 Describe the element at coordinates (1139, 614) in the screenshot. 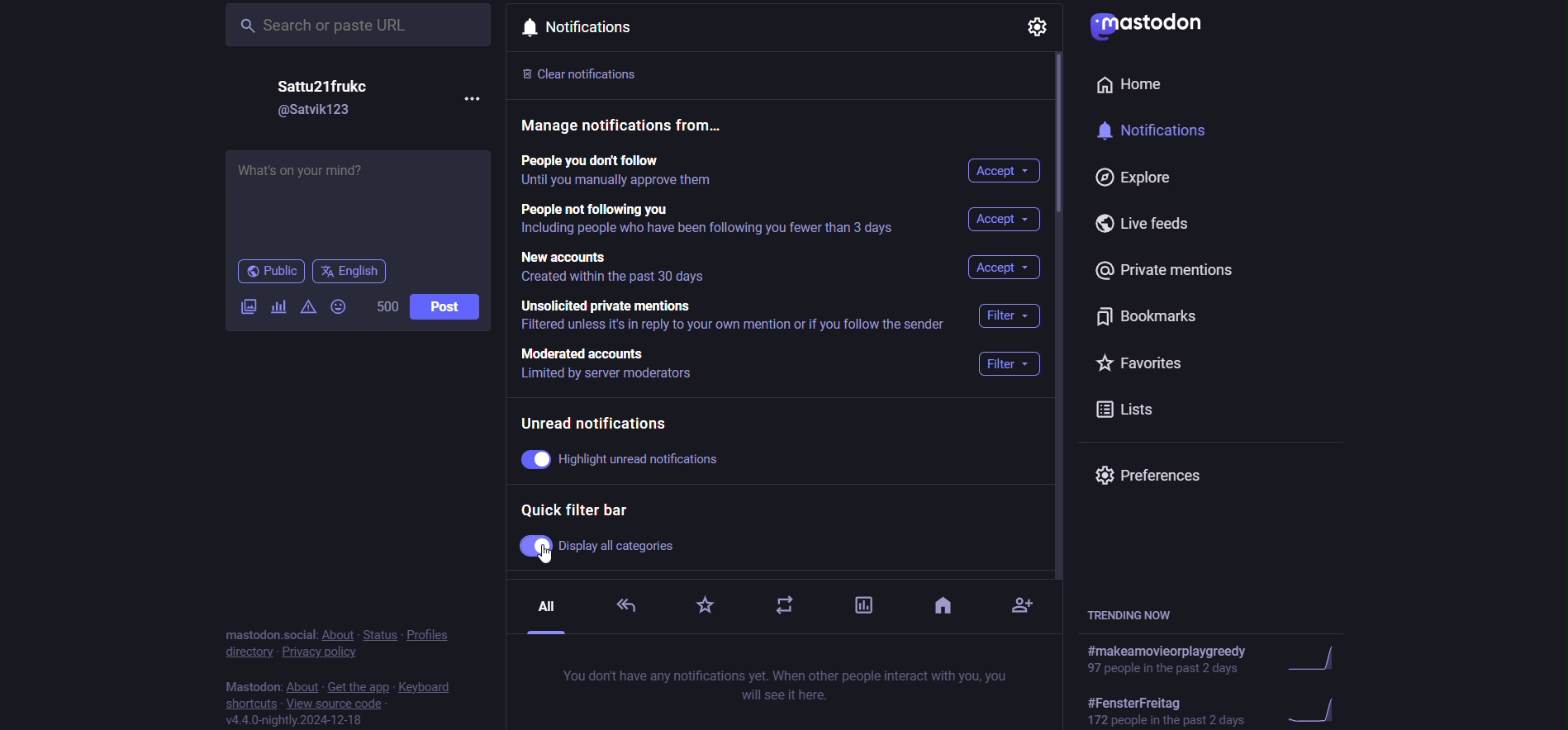

I see `trending now` at that location.